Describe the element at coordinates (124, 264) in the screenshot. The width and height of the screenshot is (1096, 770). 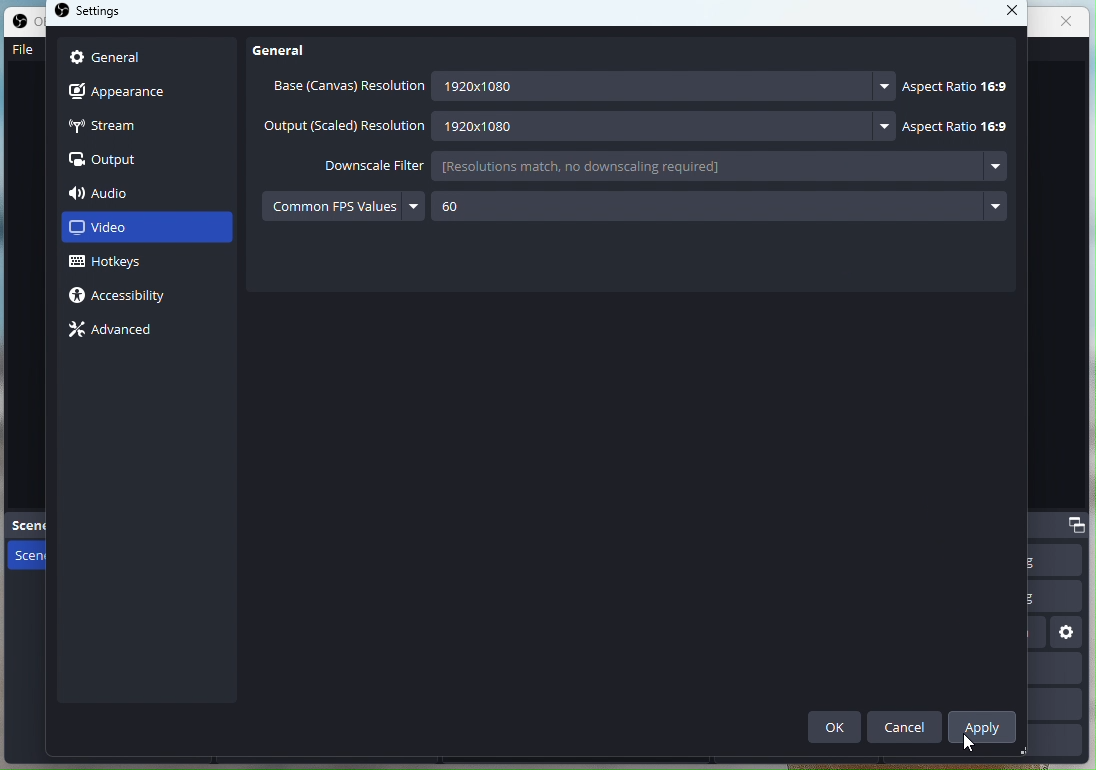
I see `Hotkeys` at that location.